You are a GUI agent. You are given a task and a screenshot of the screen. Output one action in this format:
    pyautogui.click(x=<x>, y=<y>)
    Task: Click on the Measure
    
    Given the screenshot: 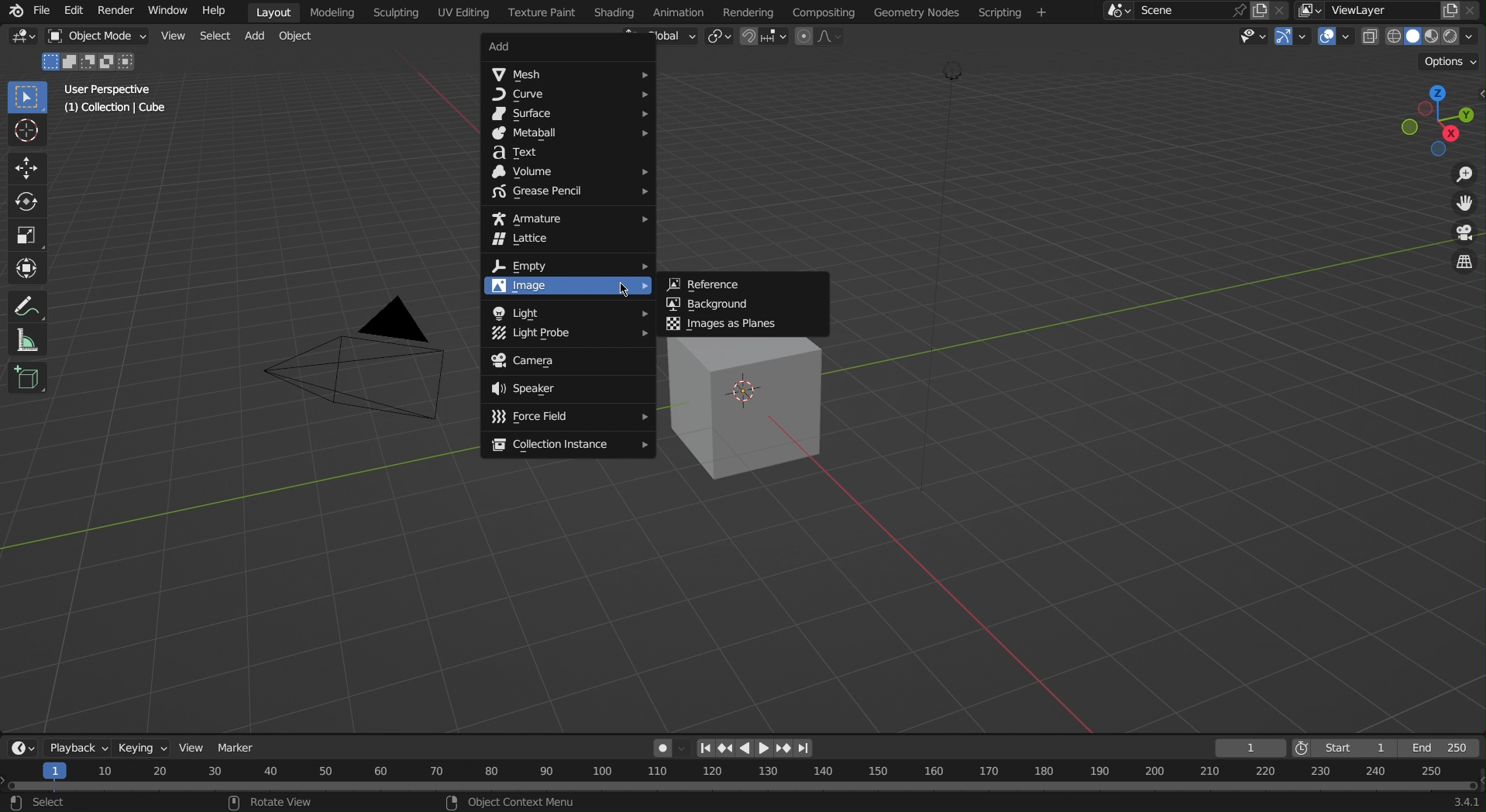 What is the action you would take?
    pyautogui.click(x=25, y=340)
    